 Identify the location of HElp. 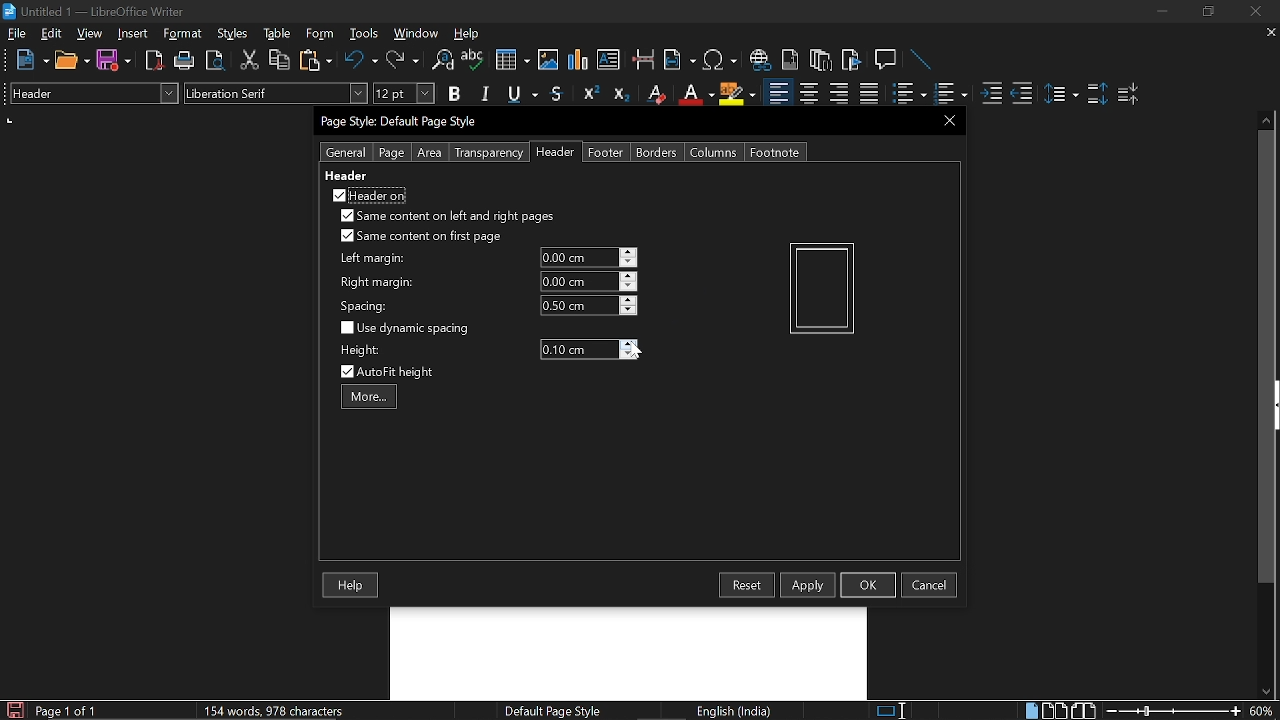
(468, 33).